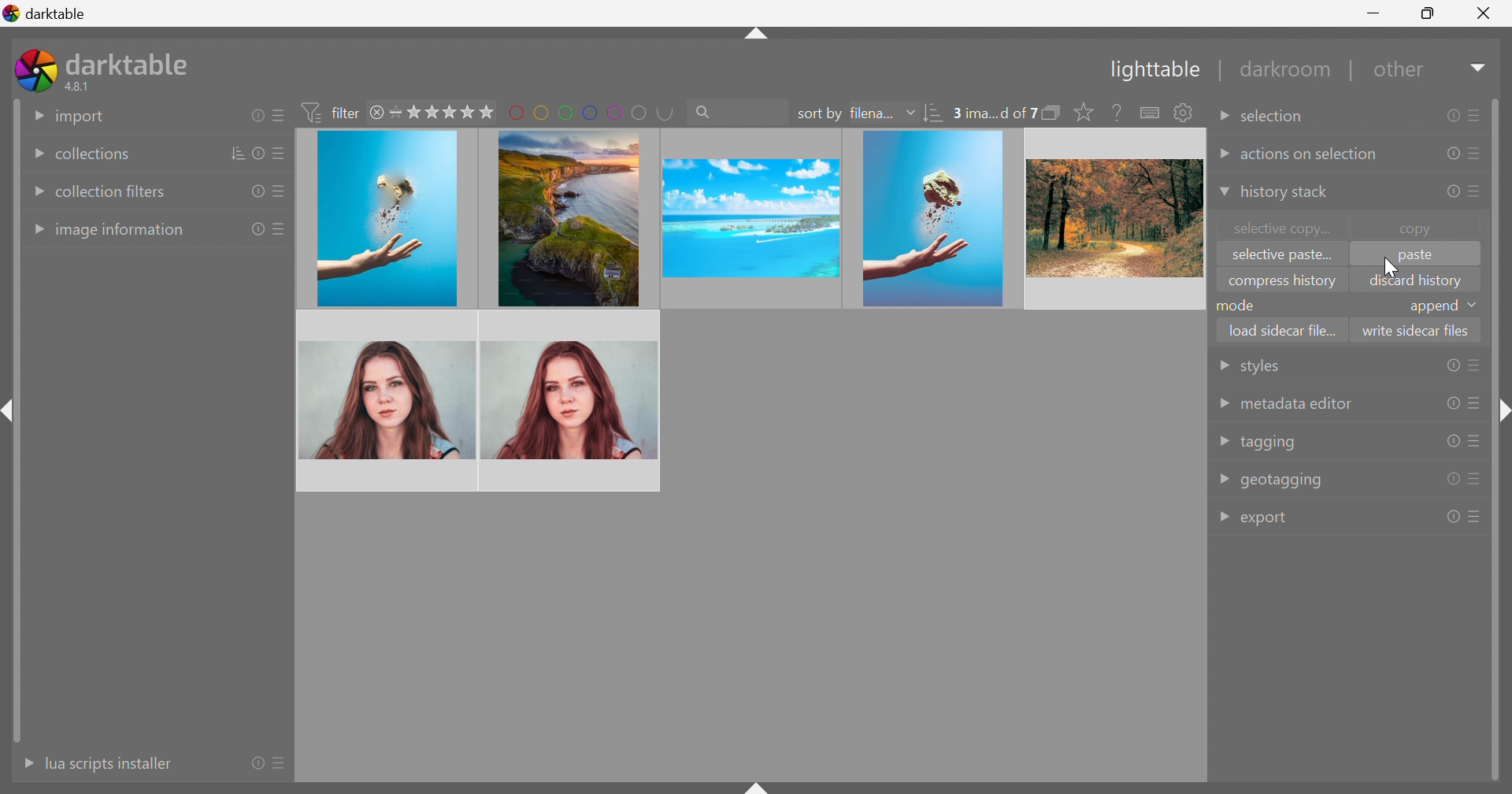 The height and width of the screenshot is (794, 1512). What do you see at coordinates (1258, 369) in the screenshot?
I see `styles` at bounding box center [1258, 369].